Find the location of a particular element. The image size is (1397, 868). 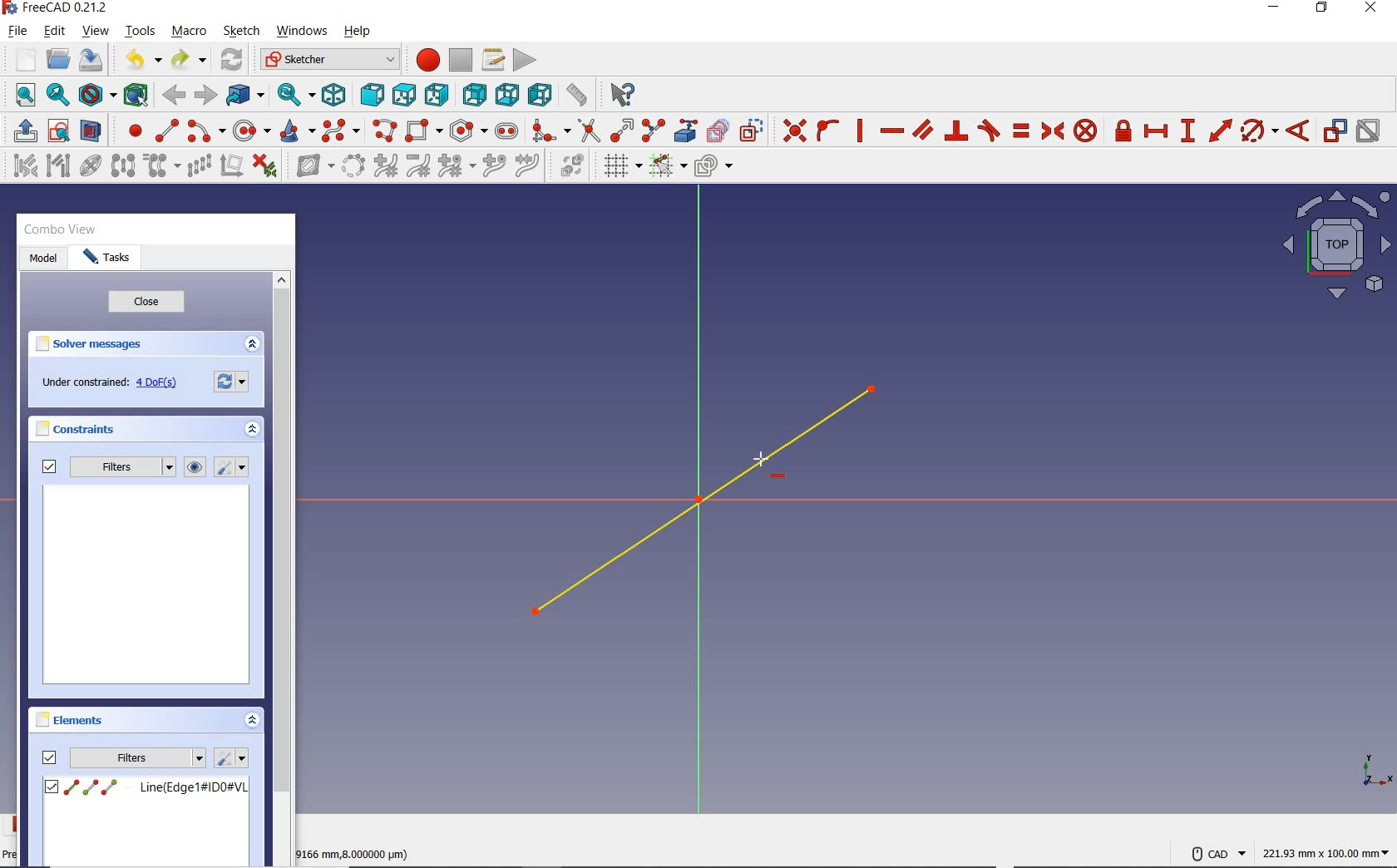

TRIM EDGE is located at coordinates (587, 130).